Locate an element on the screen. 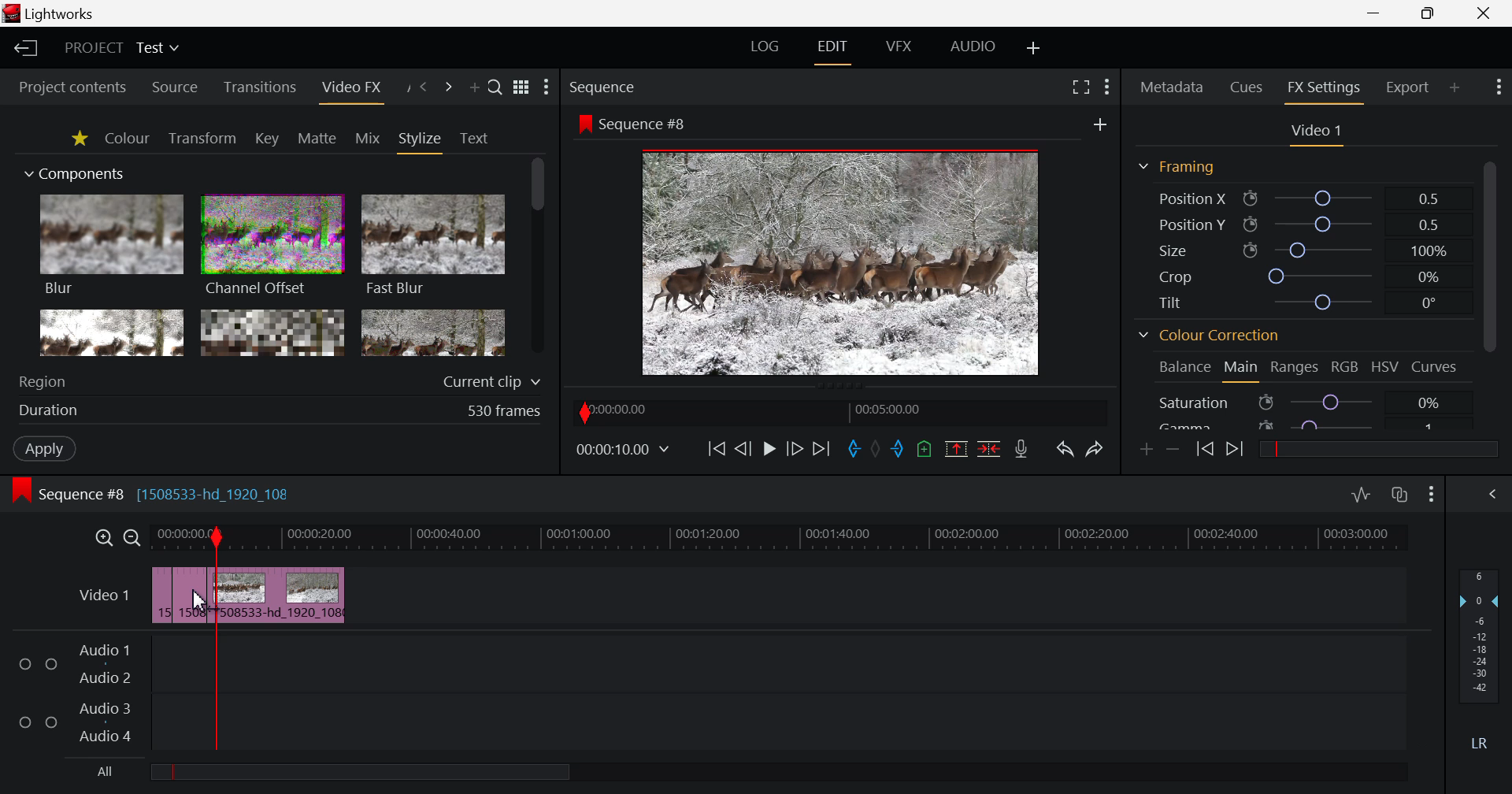 The height and width of the screenshot is (794, 1512). Duration is located at coordinates (282, 410).